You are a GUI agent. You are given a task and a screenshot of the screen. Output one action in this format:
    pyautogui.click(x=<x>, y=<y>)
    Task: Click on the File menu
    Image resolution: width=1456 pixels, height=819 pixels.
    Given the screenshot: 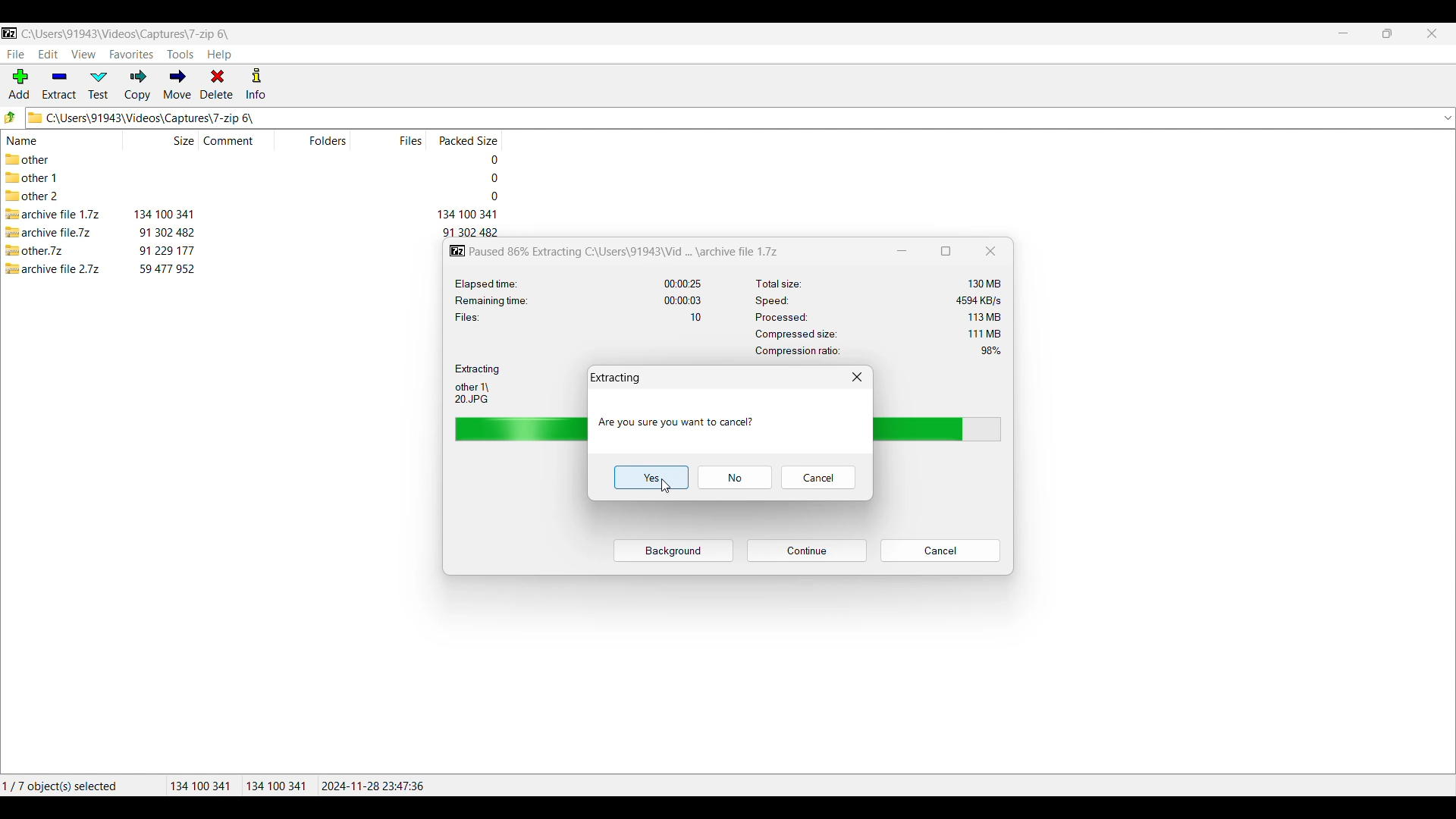 What is the action you would take?
    pyautogui.click(x=15, y=55)
    